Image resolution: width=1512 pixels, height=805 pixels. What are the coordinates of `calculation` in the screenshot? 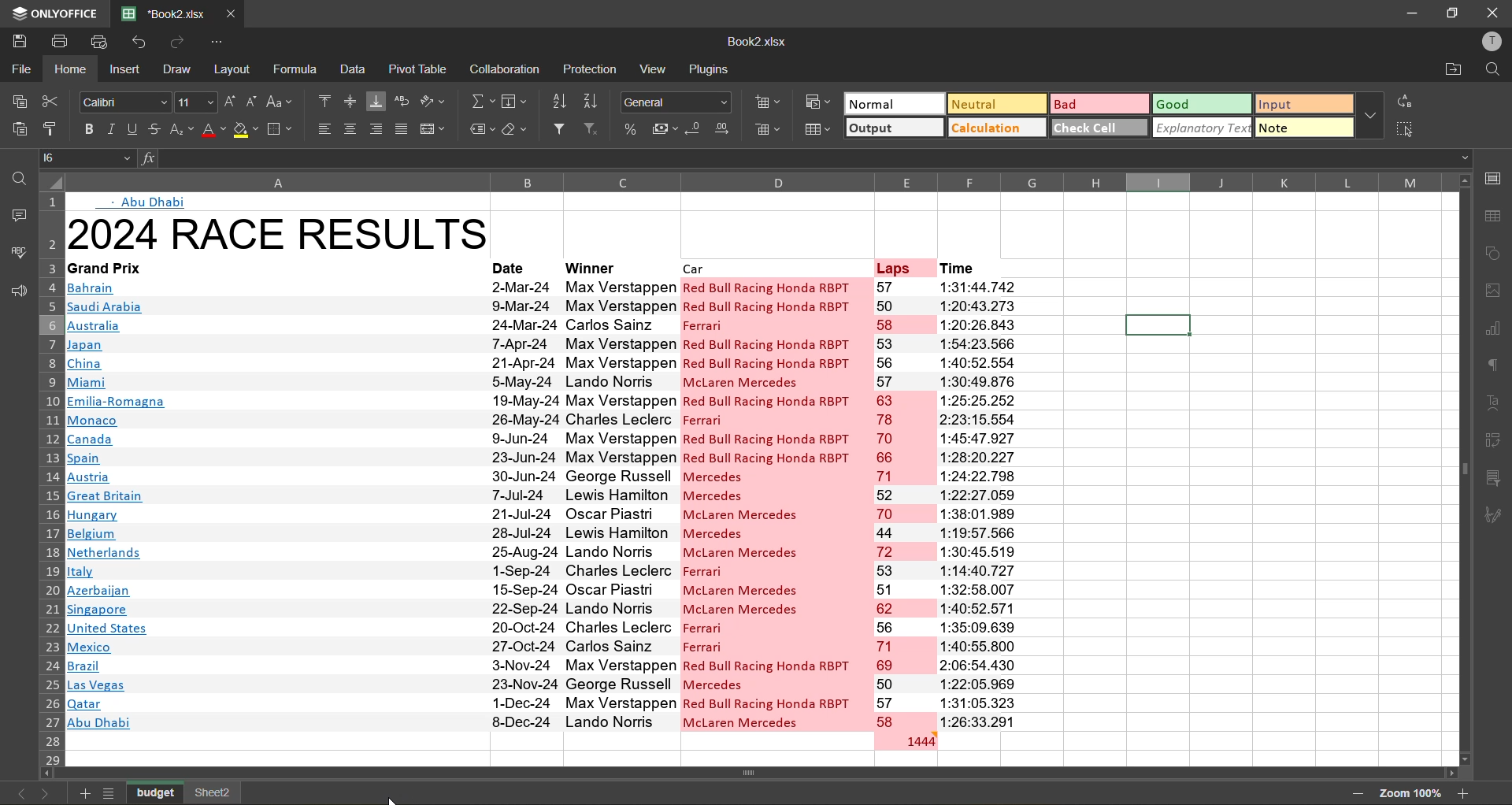 It's located at (996, 128).